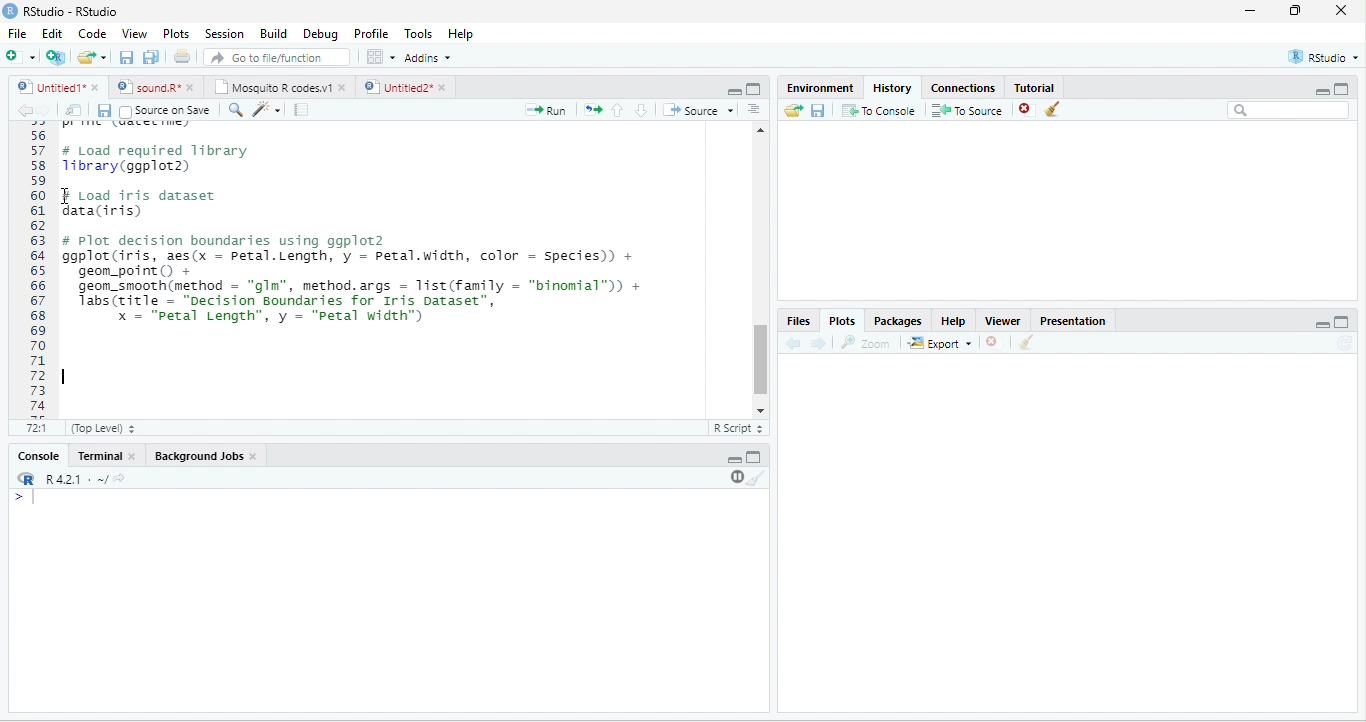 Image resolution: width=1366 pixels, height=722 pixels. Describe the element at coordinates (879, 110) in the screenshot. I see `To console` at that location.